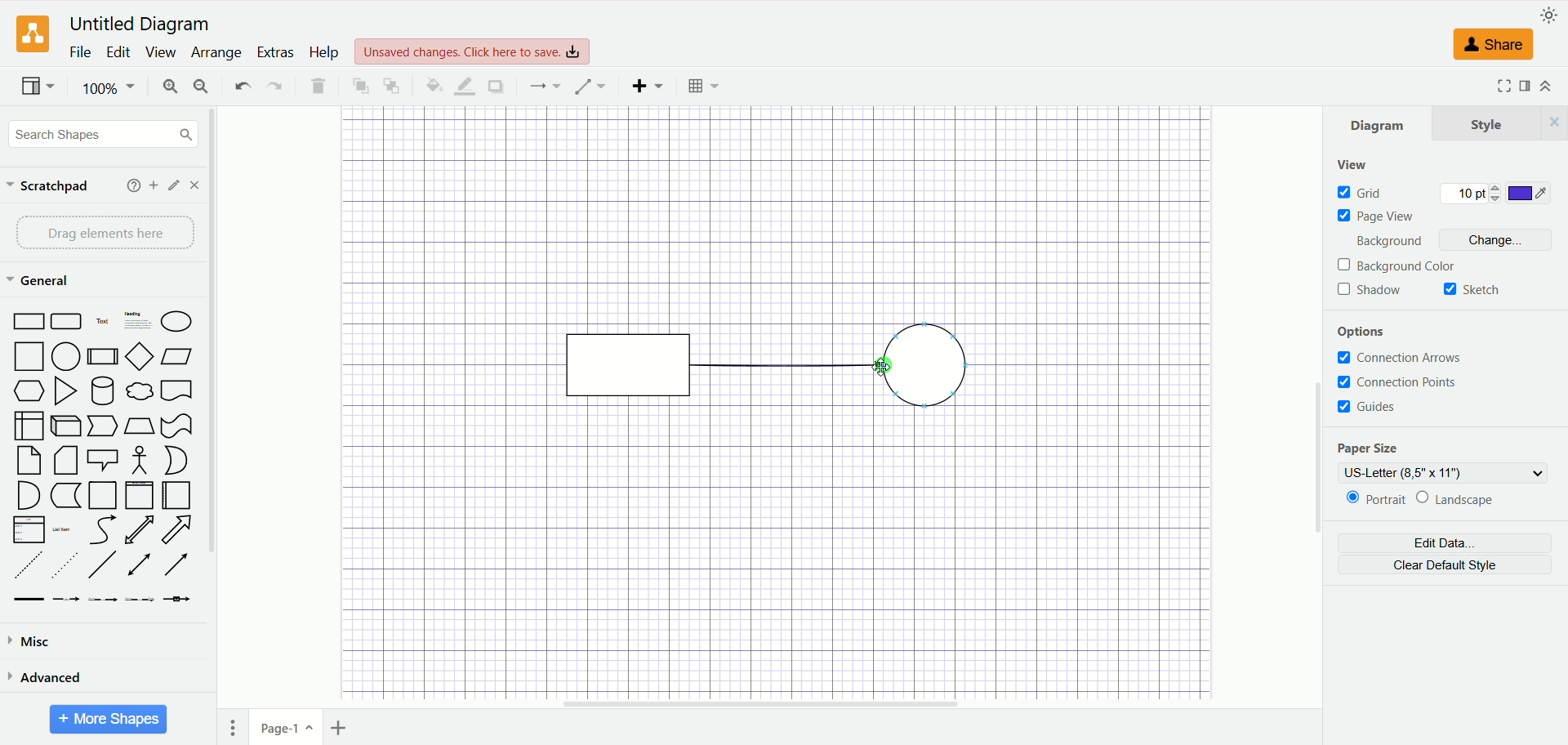 This screenshot has height=745, width=1568. I want to click on page1, so click(287, 727).